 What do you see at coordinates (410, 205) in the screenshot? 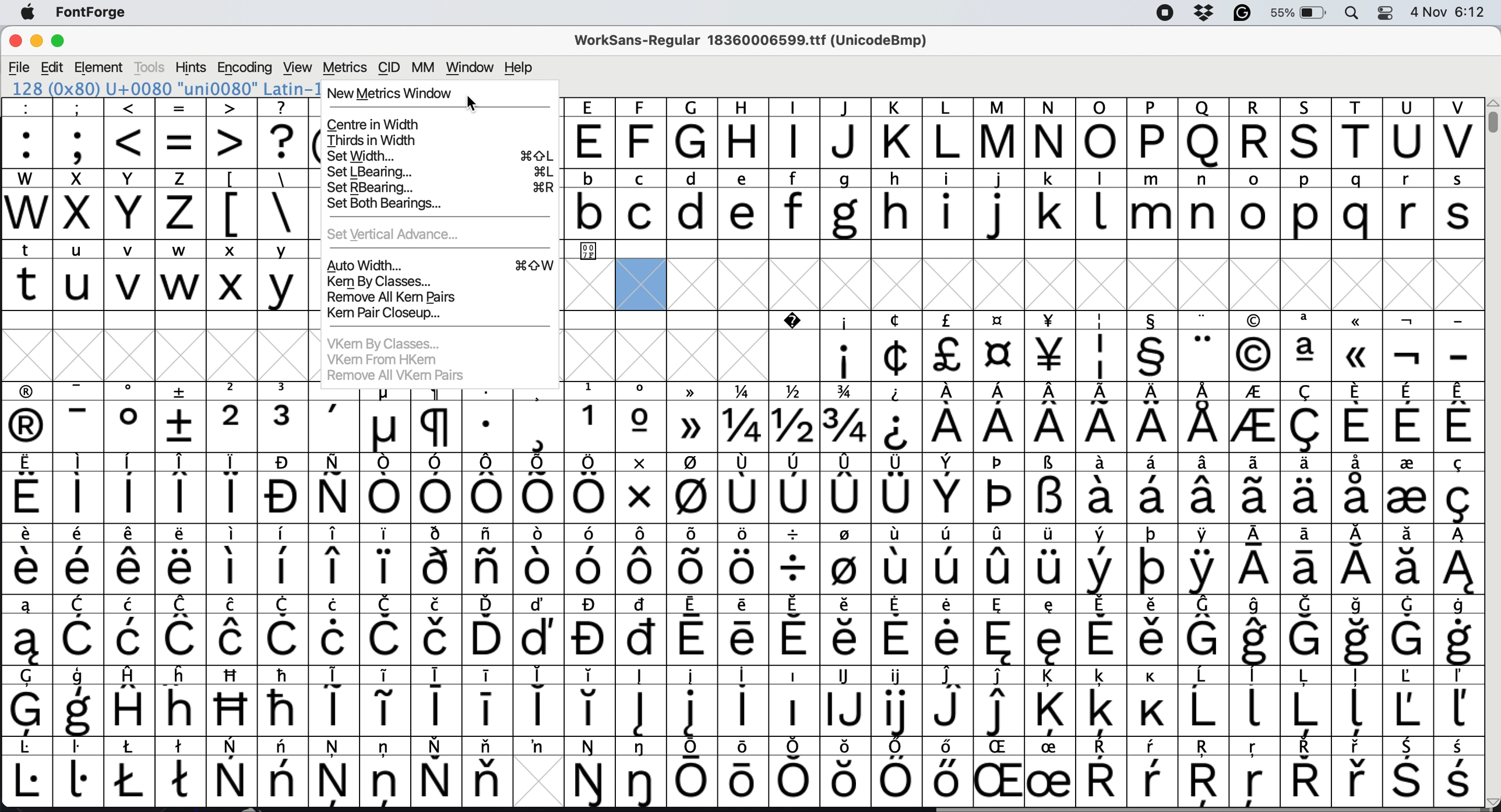
I see `set both bearings` at bounding box center [410, 205].